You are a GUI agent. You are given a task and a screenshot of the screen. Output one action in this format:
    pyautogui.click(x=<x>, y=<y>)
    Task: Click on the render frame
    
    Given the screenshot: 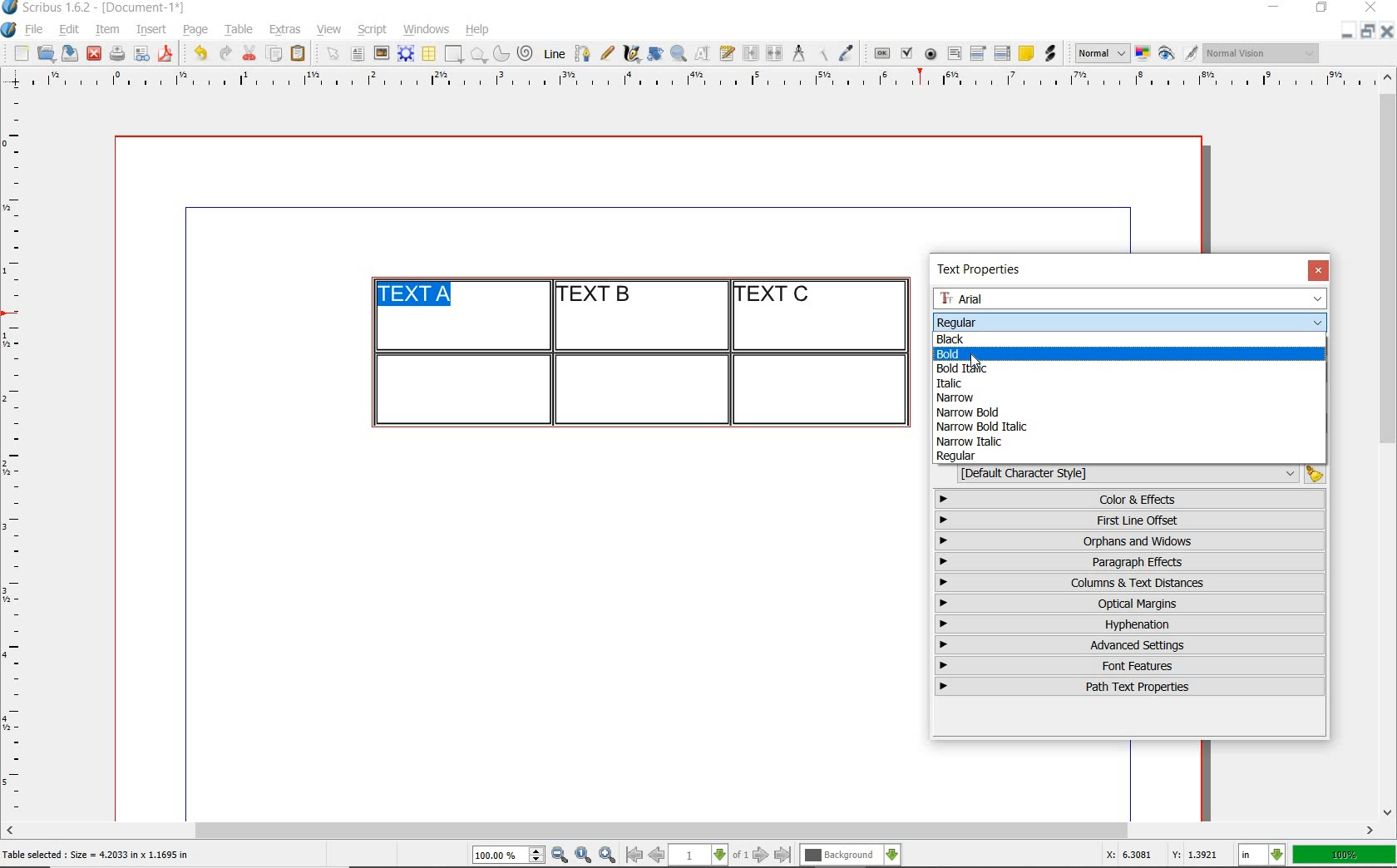 What is the action you would take?
    pyautogui.click(x=406, y=54)
    